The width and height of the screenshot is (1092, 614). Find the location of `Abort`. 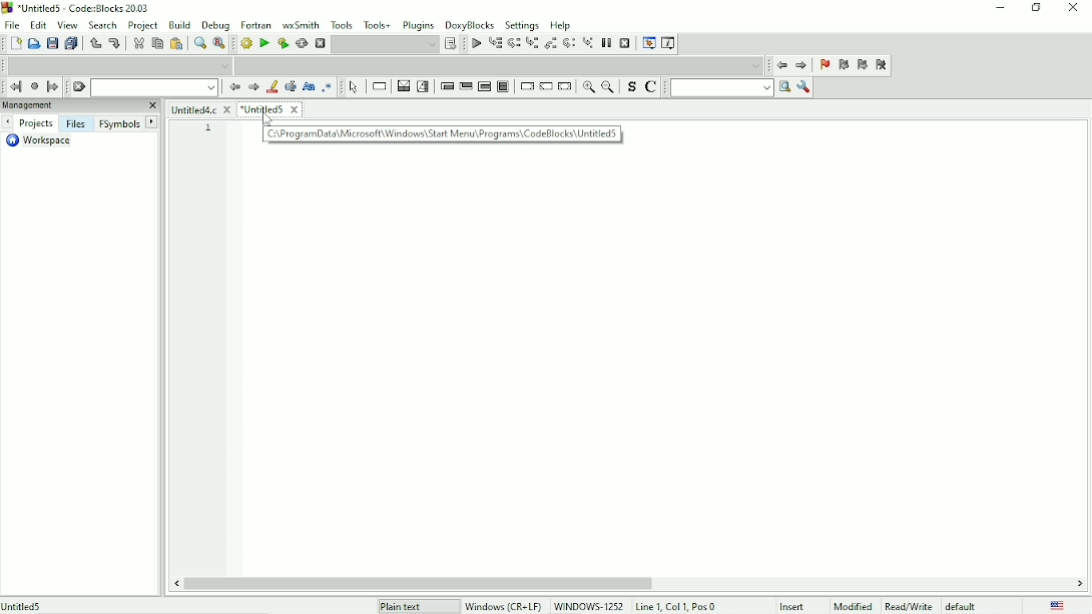

Abort is located at coordinates (320, 44).